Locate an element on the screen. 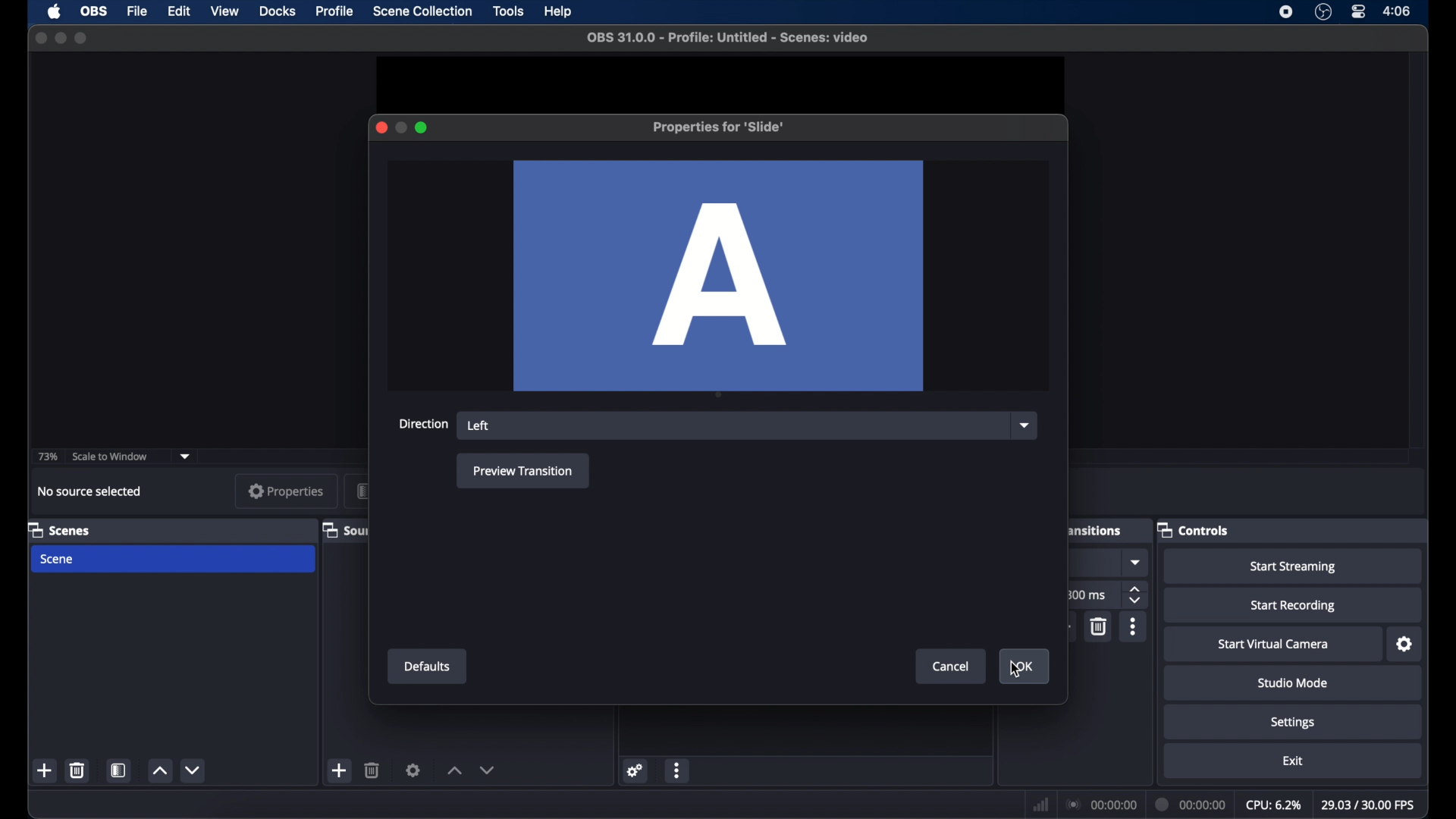 The height and width of the screenshot is (819, 1456). 300 ms is located at coordinates (1090, 596).